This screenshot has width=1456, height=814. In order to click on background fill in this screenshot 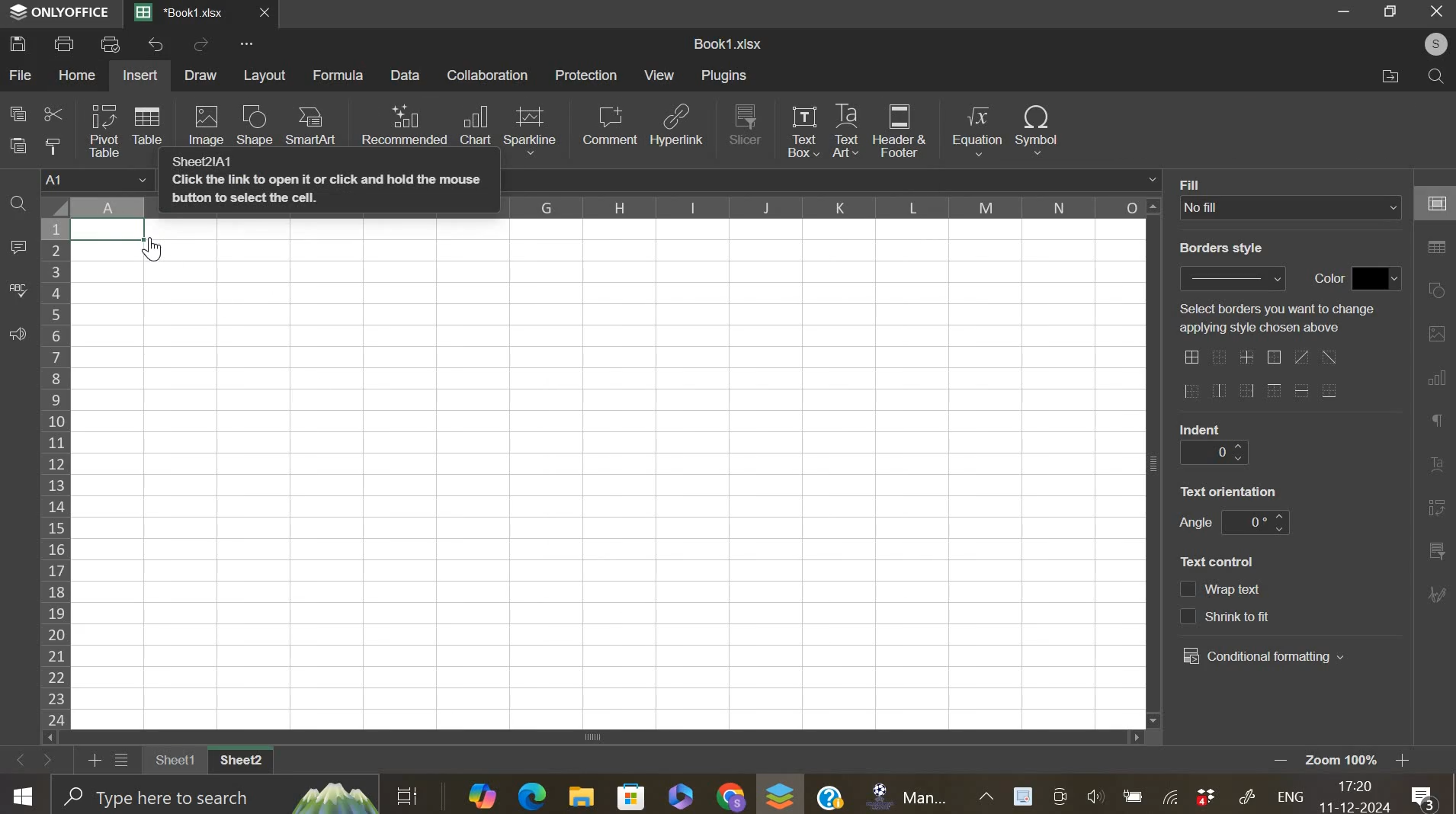, I will do `click(1291, 207)`.